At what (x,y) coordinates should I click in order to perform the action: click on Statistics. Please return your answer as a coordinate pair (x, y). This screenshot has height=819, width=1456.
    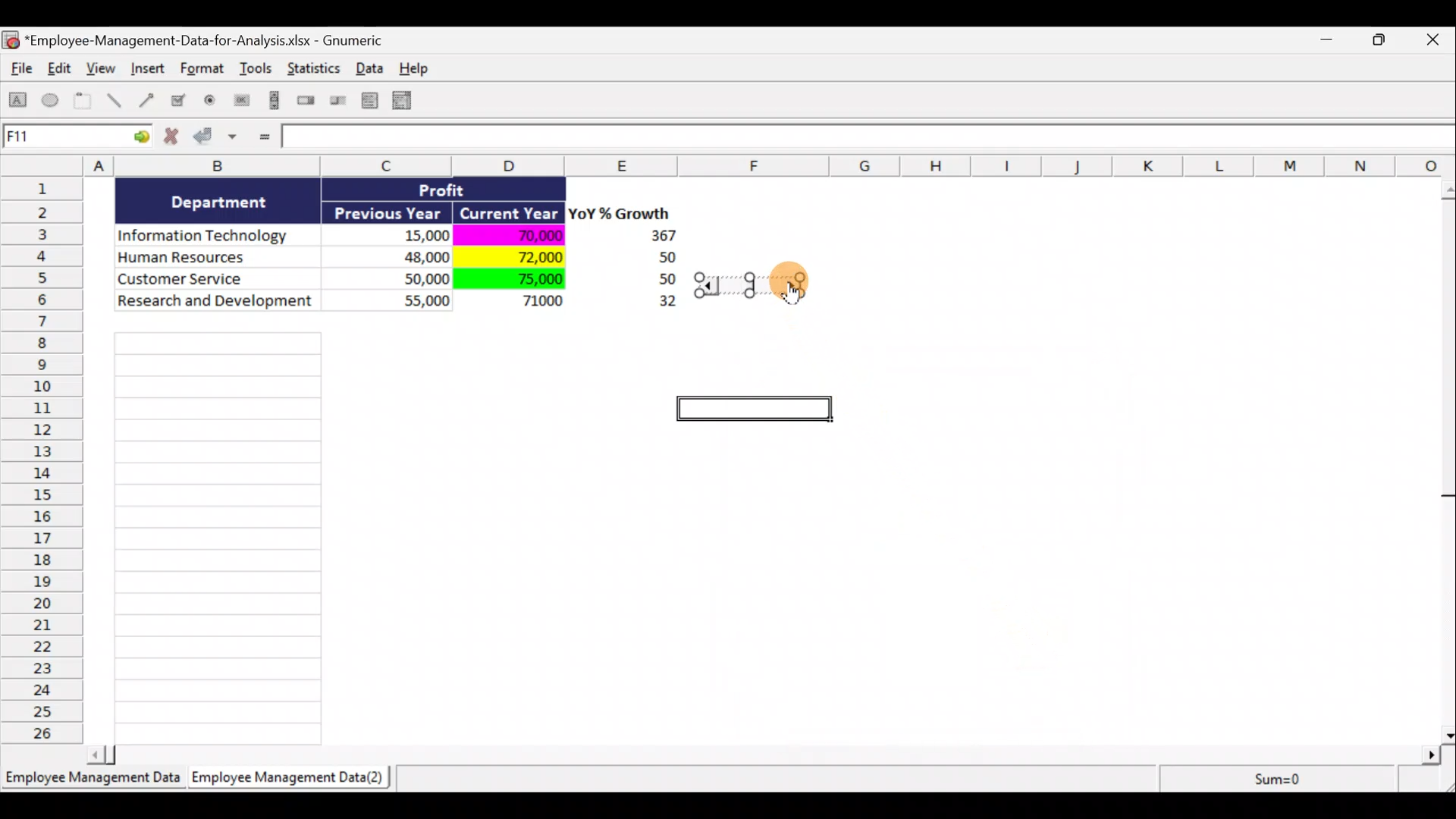
    Looking at the image, I should click on (315, 73).